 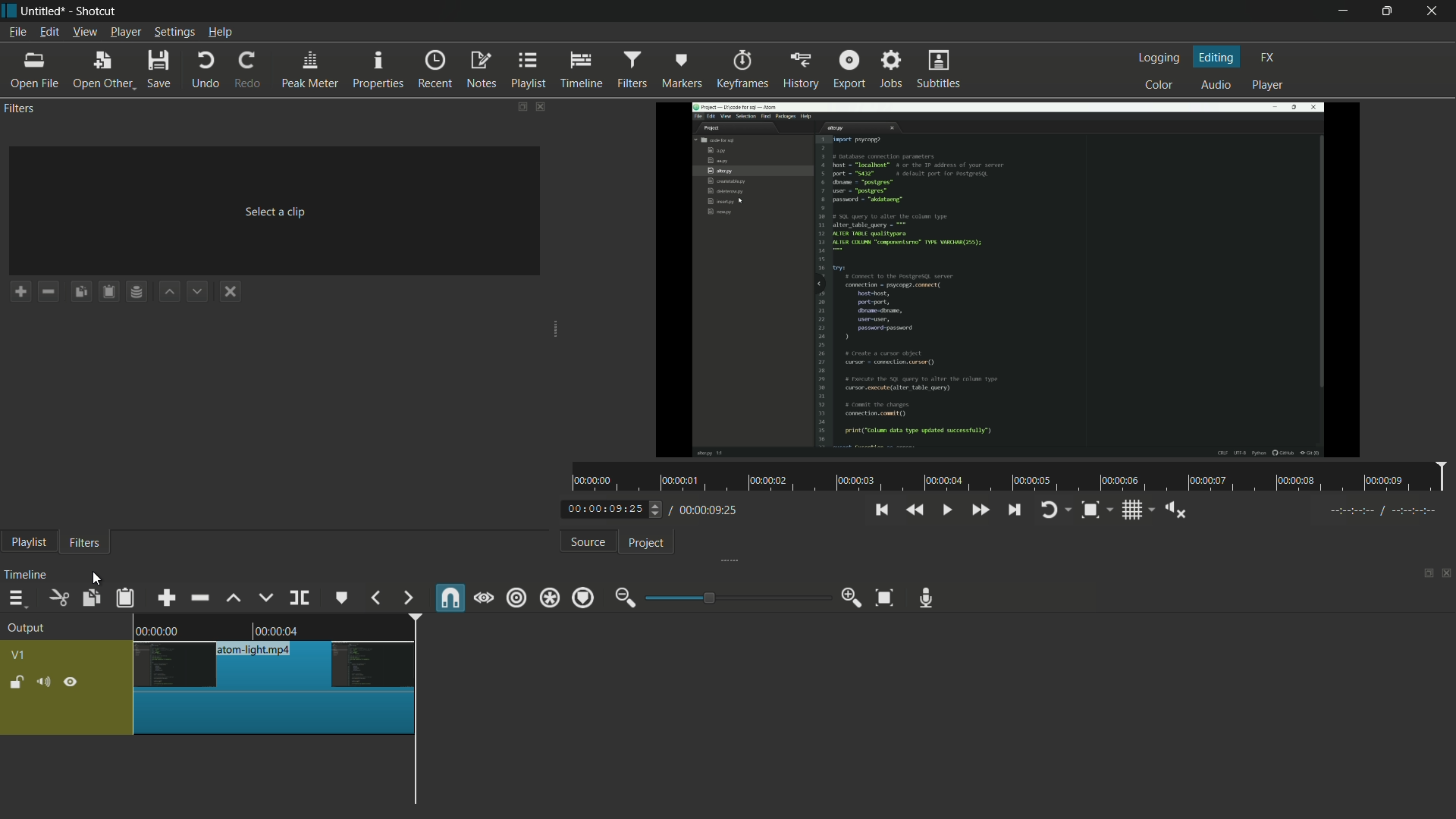 I want to click on export, so click(x=849, y=67).